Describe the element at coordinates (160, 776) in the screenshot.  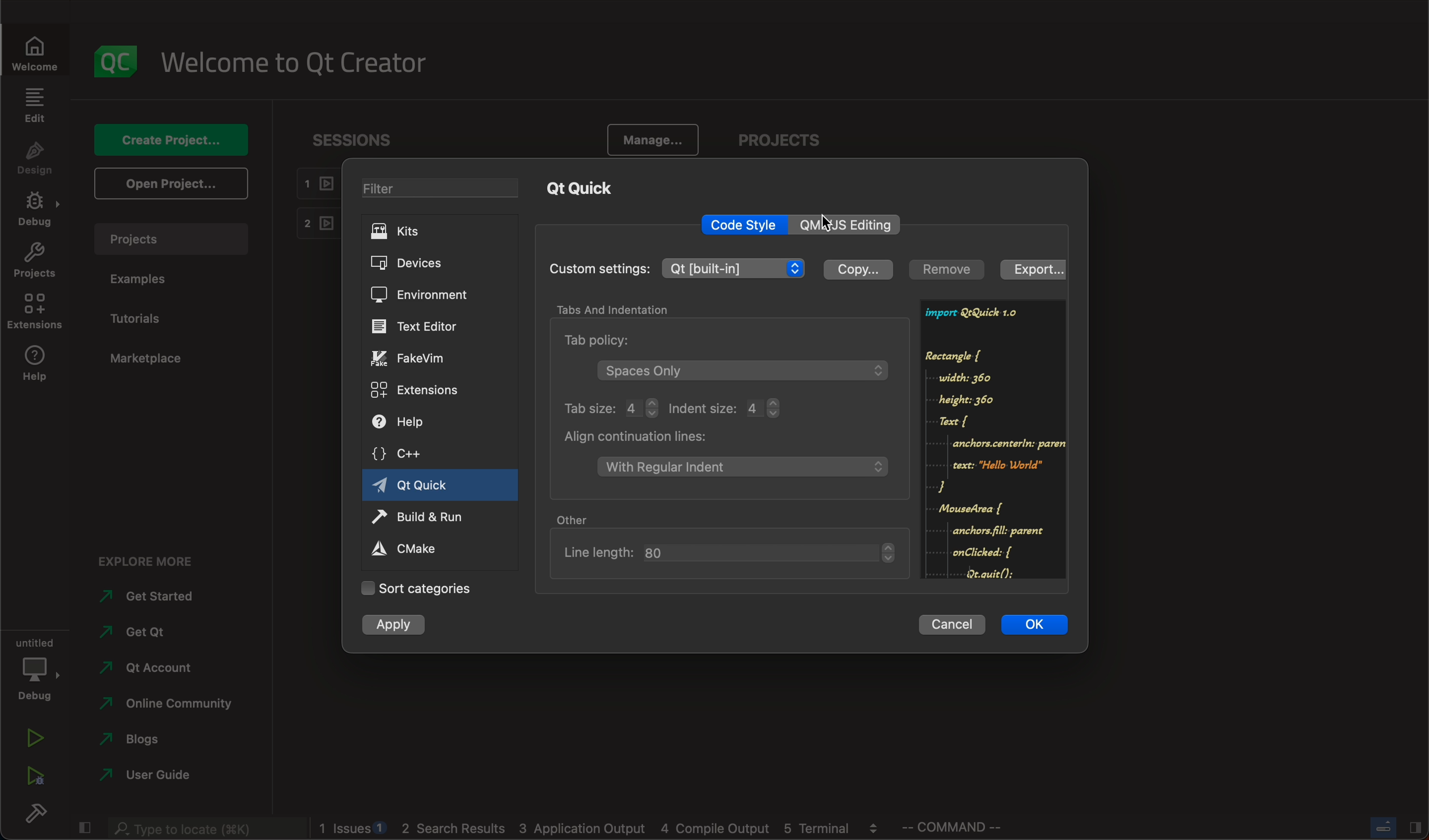
I see `guide` at that location.